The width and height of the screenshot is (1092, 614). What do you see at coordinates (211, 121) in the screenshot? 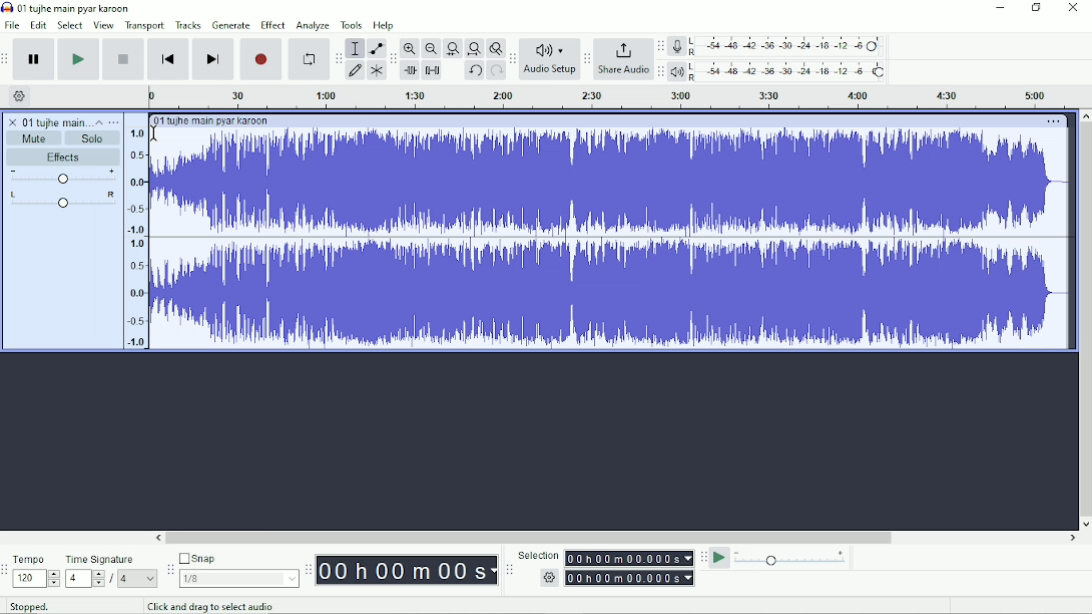
I see `01 tujhy main pyar kroon` at bounding box center [211, 121].